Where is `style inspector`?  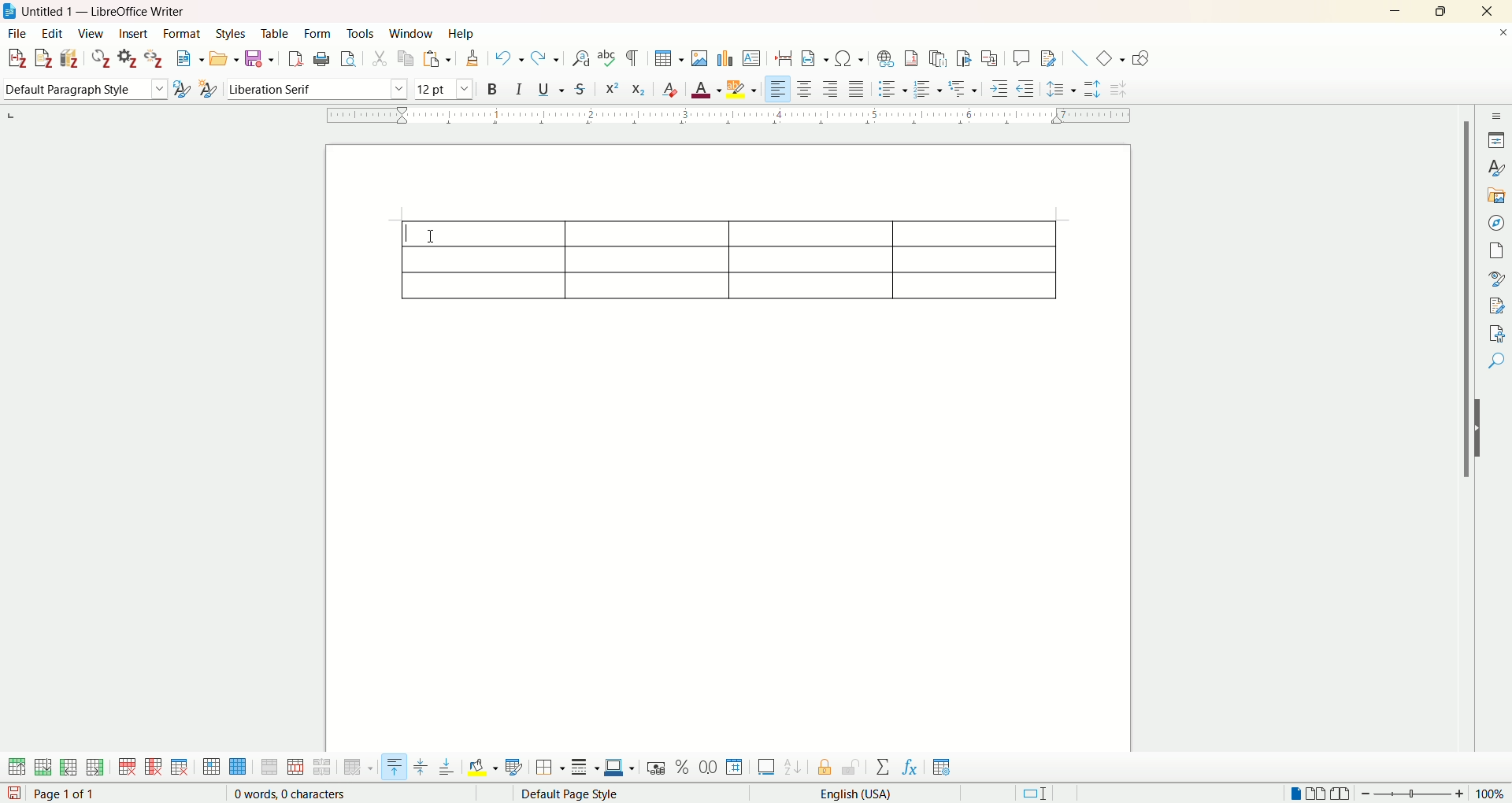 style inspector is located at coordinates (1495, 277).